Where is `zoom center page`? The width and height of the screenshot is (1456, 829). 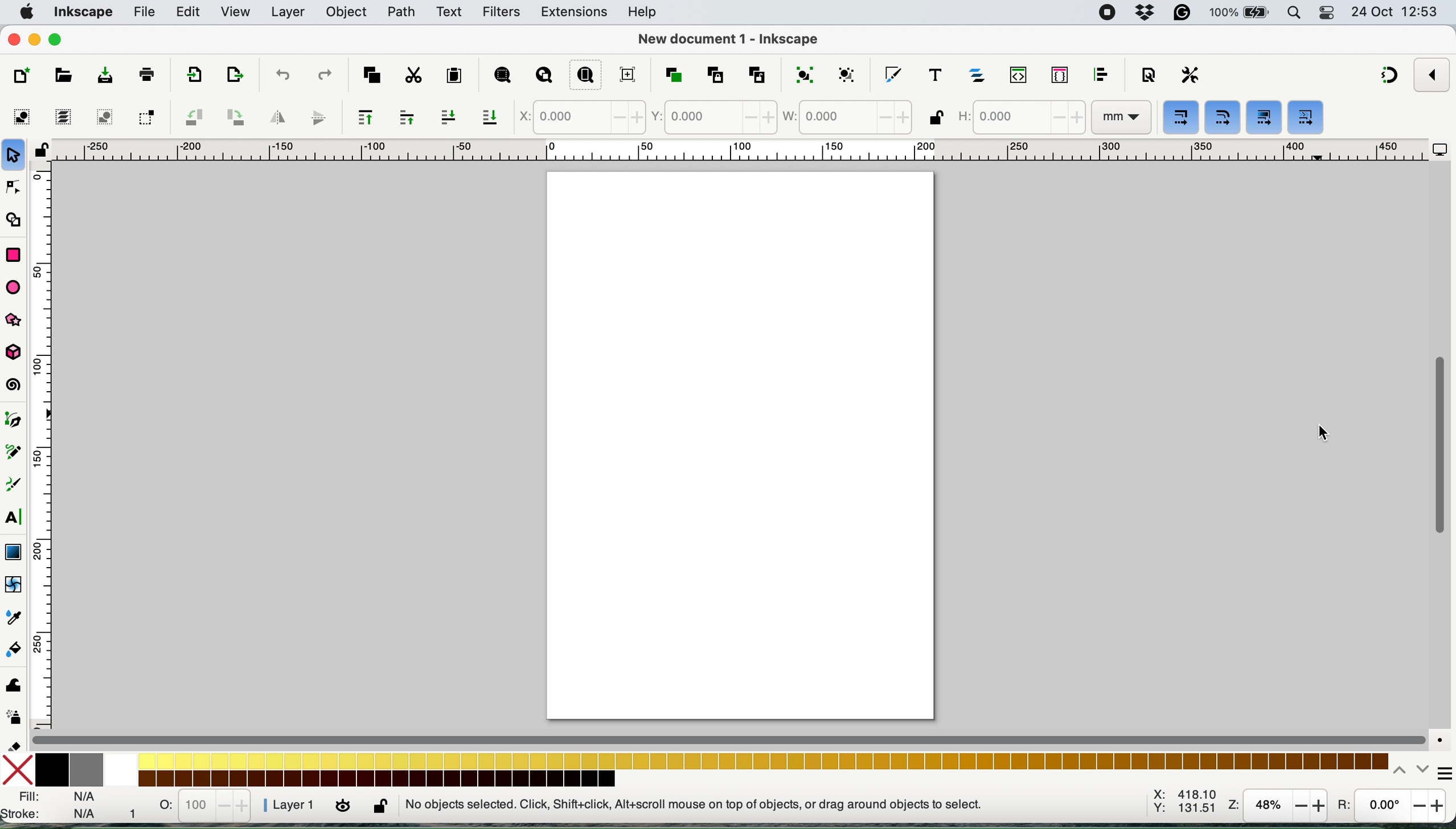
zoom center page is located at coordinates (628, 72).